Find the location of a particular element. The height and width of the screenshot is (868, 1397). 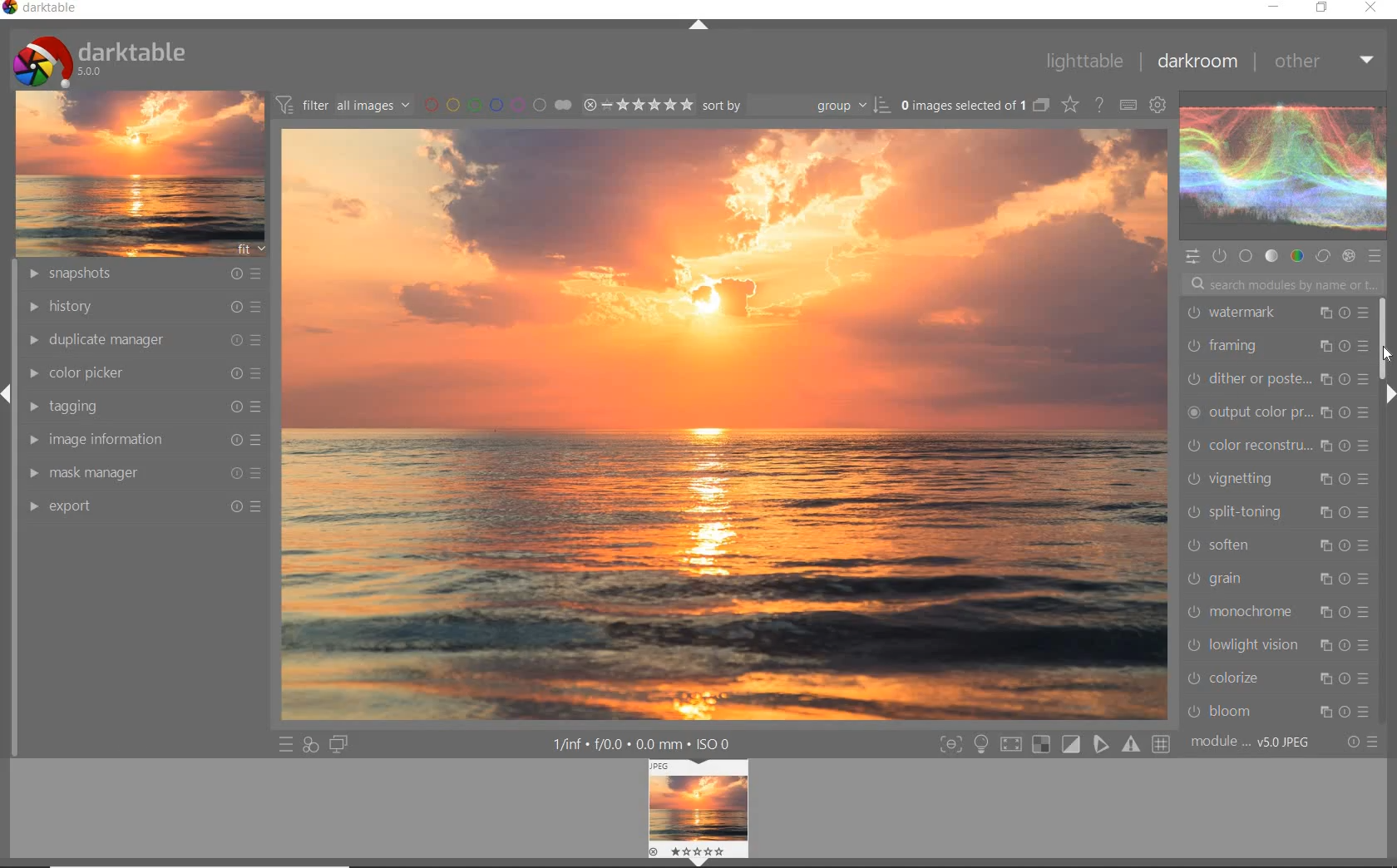

SCROLLBAR is located at coordinates (1385, 338).